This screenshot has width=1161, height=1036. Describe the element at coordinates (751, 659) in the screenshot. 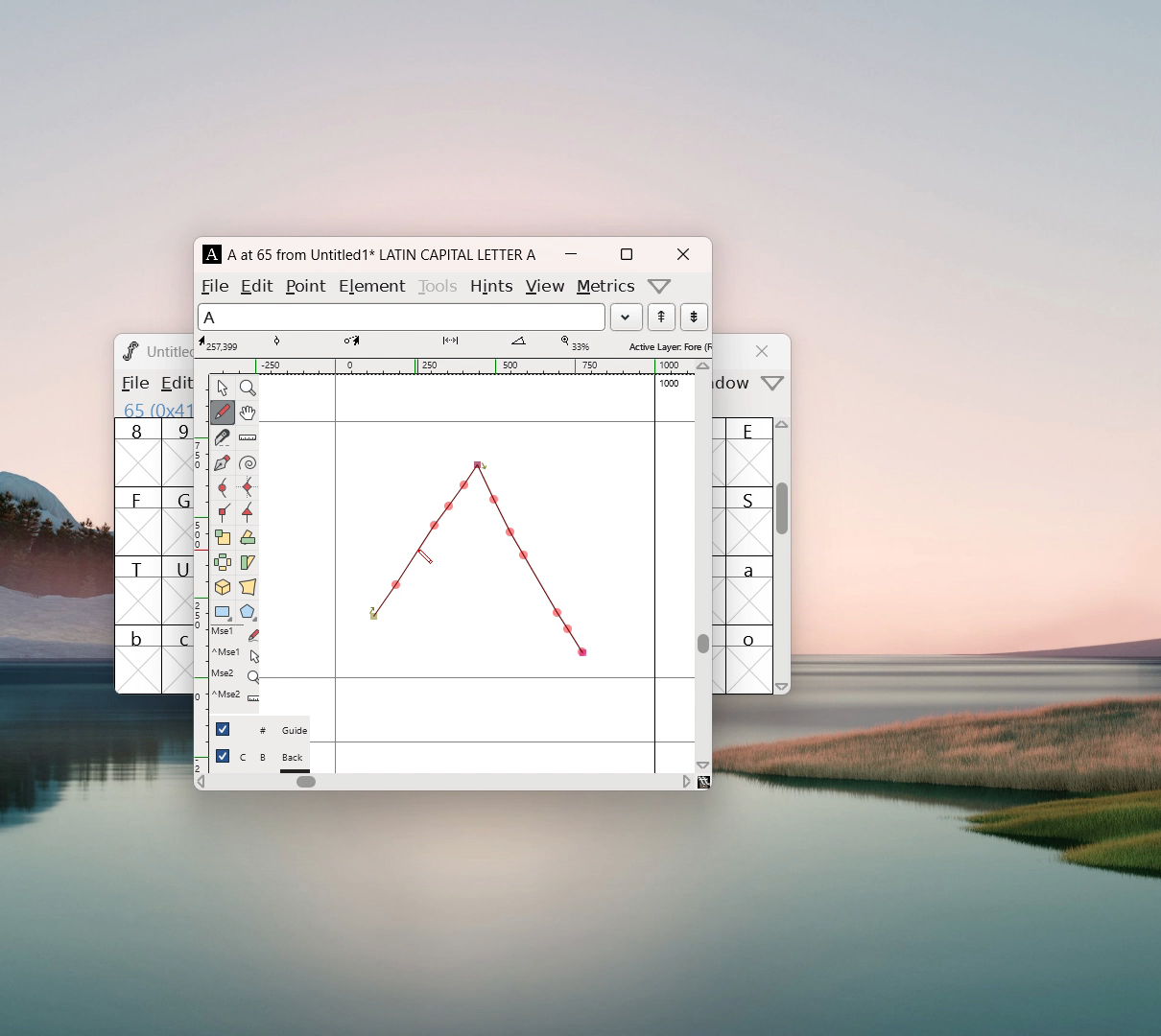

I see `o` at that location.